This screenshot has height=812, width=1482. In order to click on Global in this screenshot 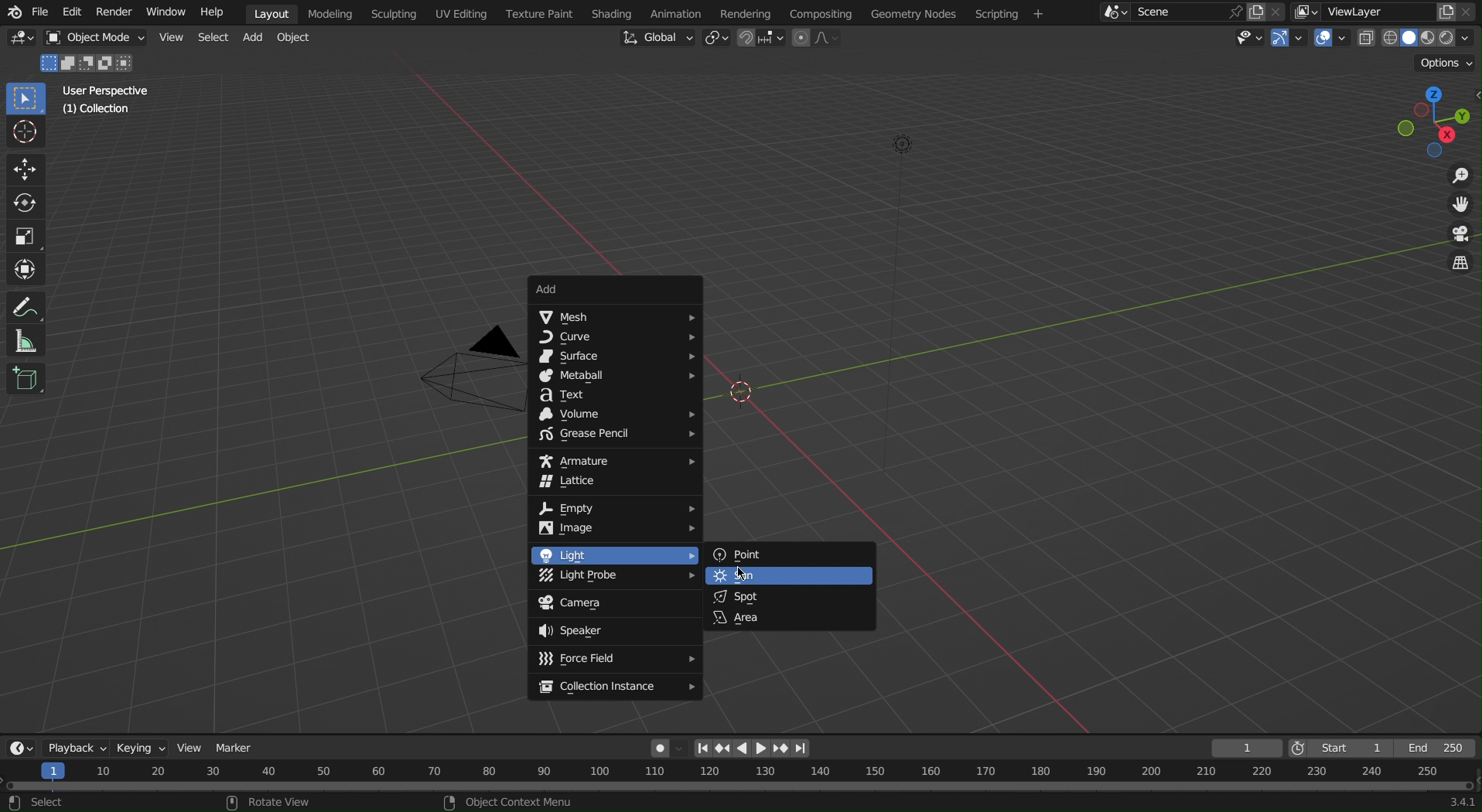, I will do `click(657, 37)`.